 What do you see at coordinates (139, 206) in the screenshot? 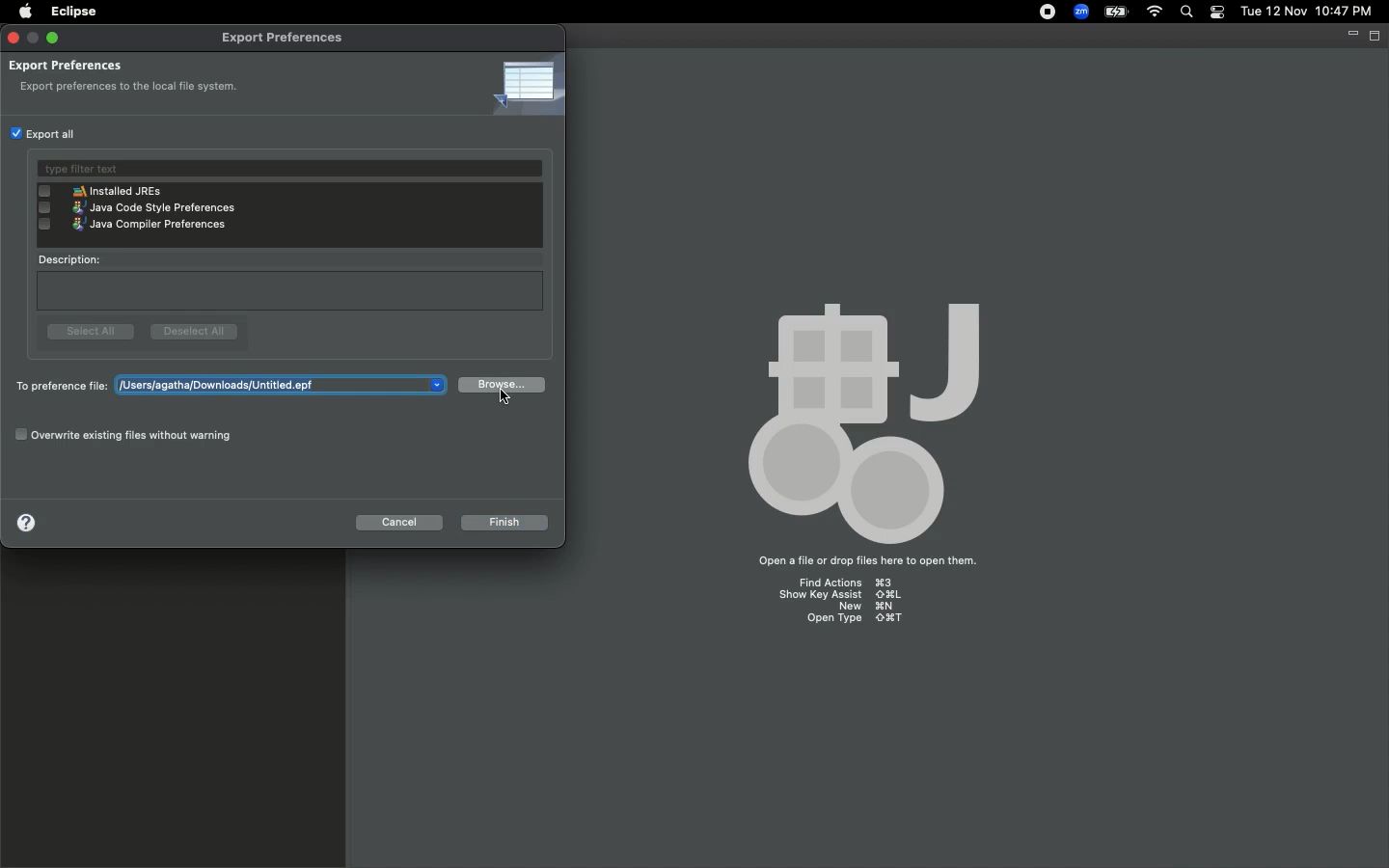
I see `java code style preferences ` at bounding box center [139, 206].